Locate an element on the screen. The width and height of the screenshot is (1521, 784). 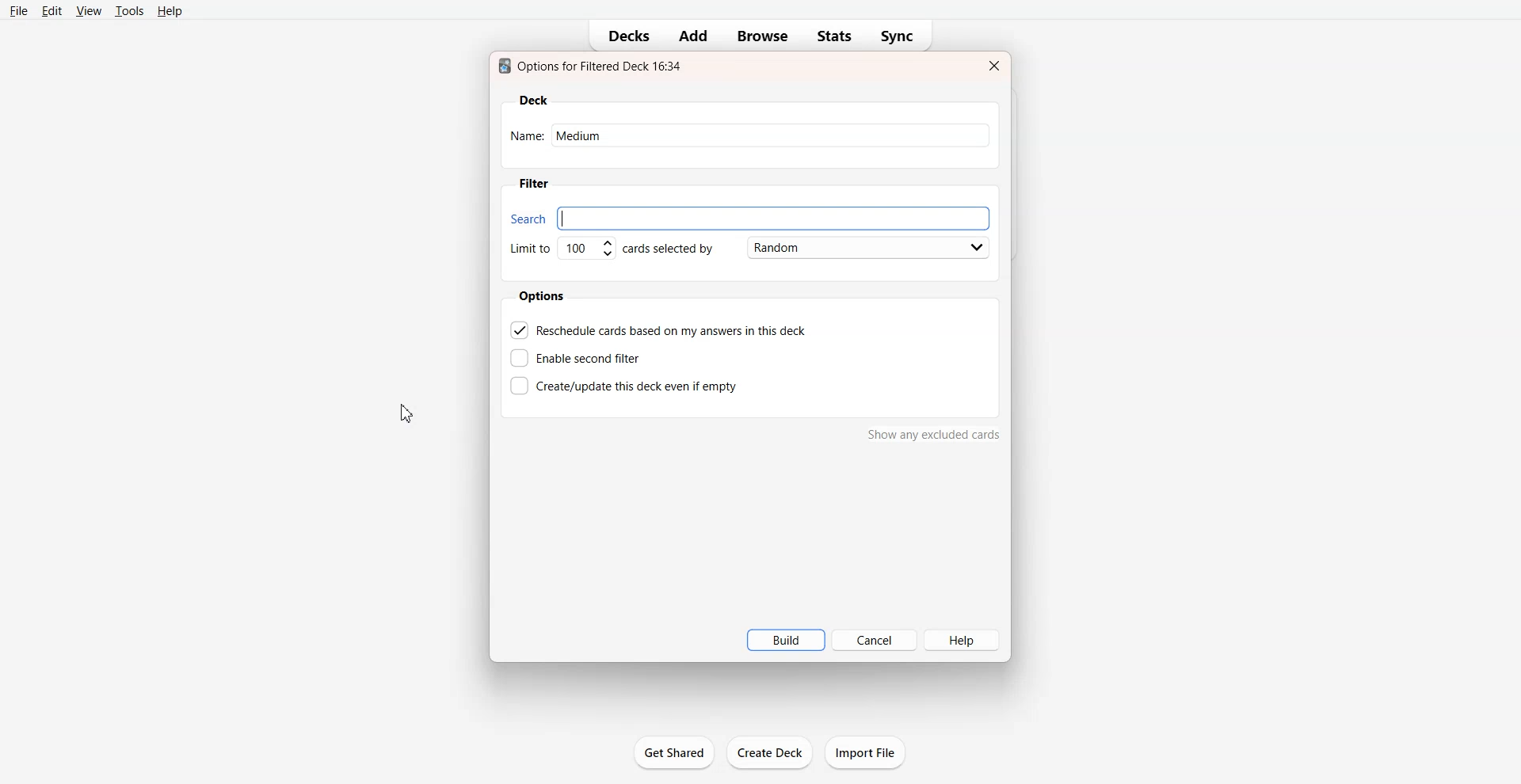
Close is located at coordinates (993, 66).